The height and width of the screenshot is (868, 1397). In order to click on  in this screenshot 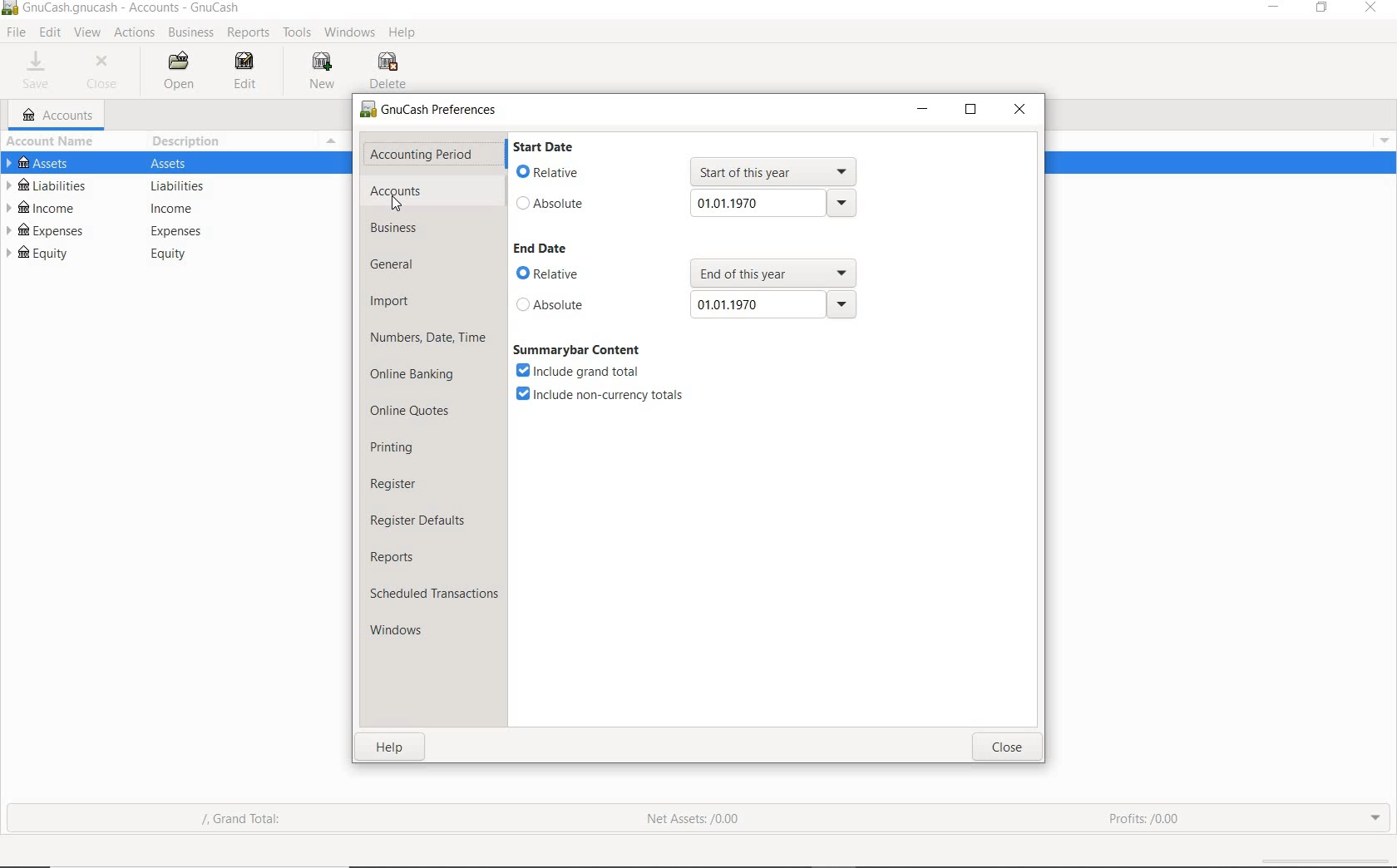, I will do `click(775, 306)`.